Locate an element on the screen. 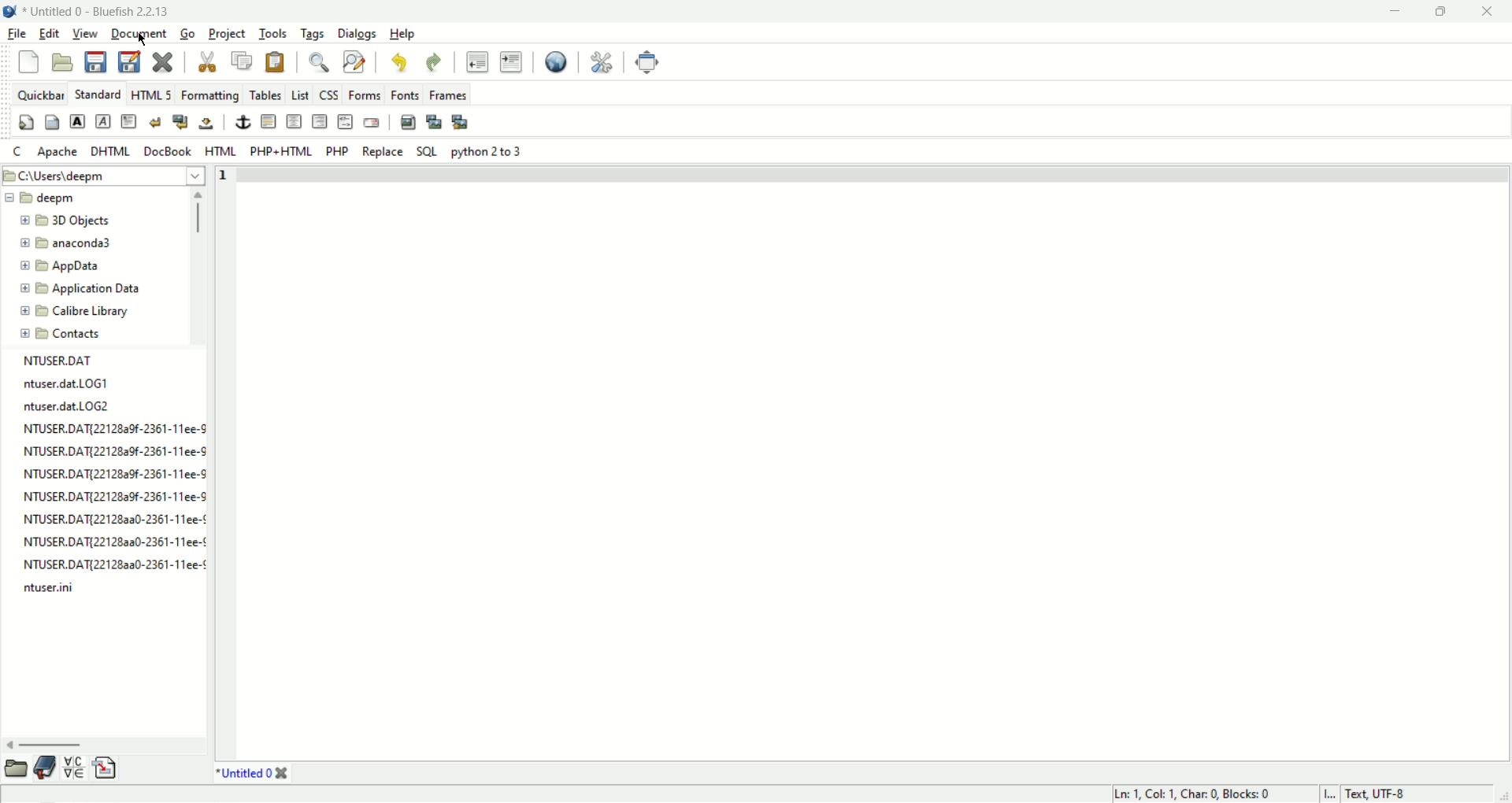 The height and width of the screenshot is (803, 1512). maxmize is located at coordinates (1443, 13).